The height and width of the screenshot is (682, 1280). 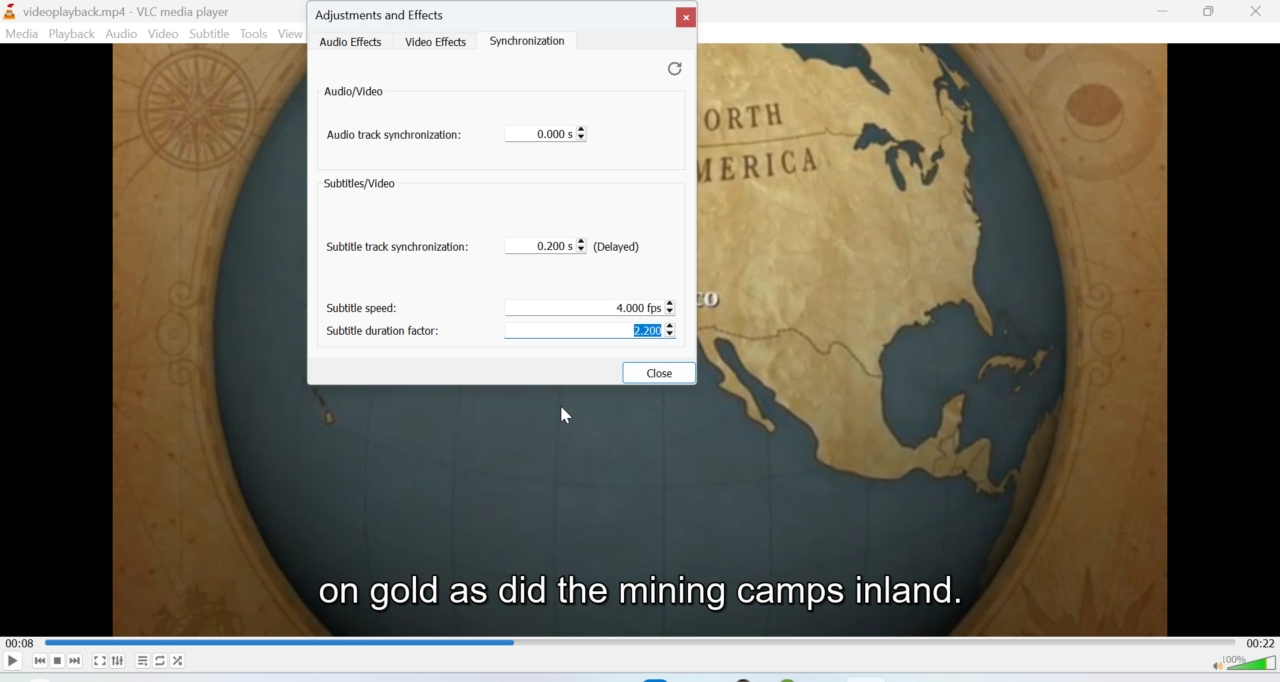 I want to click on Cursor, so click(x=567, y=414).